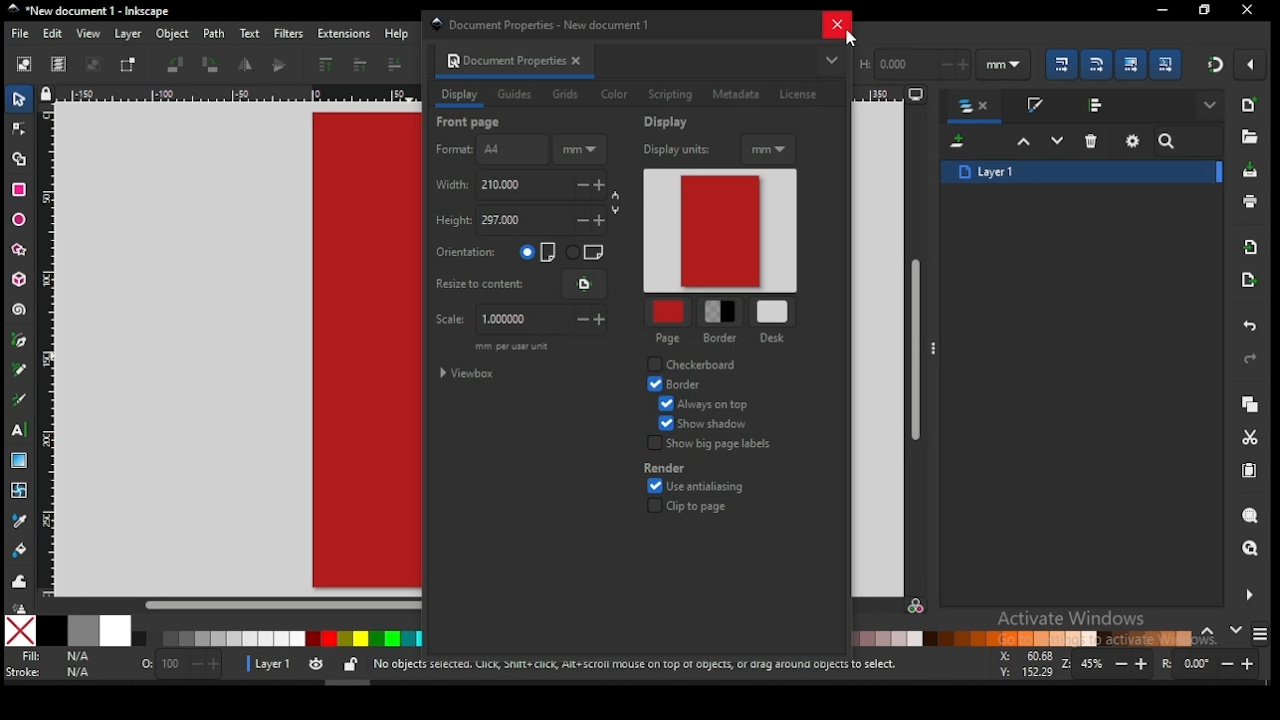 Image resolution: width=1280 pixels, height=720 pixels. Describe the element at coordinates (21, 462) in the screenshot. I see `gradient tool` at that location.